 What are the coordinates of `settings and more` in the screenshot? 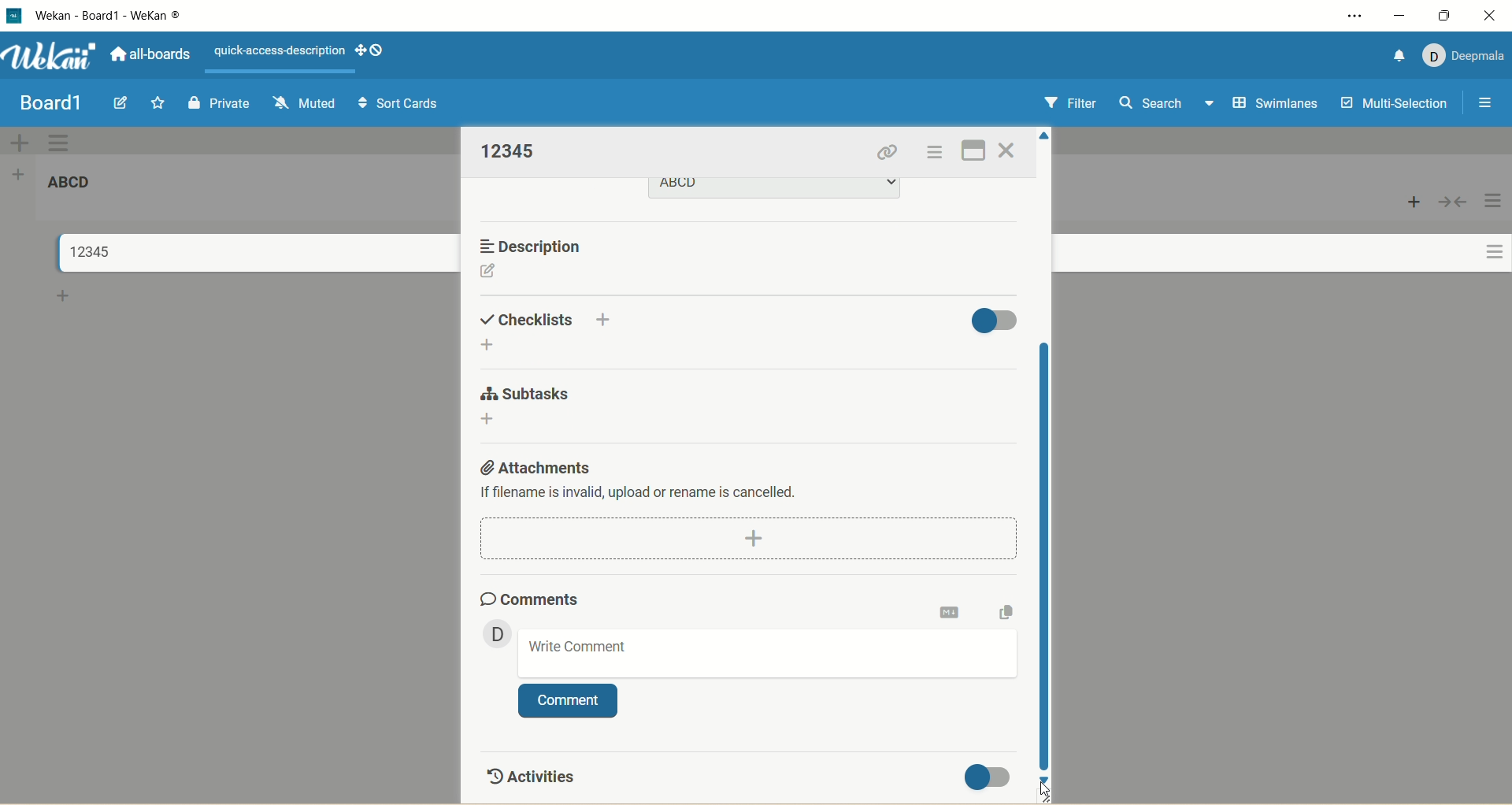 It's located at (1359, 17).